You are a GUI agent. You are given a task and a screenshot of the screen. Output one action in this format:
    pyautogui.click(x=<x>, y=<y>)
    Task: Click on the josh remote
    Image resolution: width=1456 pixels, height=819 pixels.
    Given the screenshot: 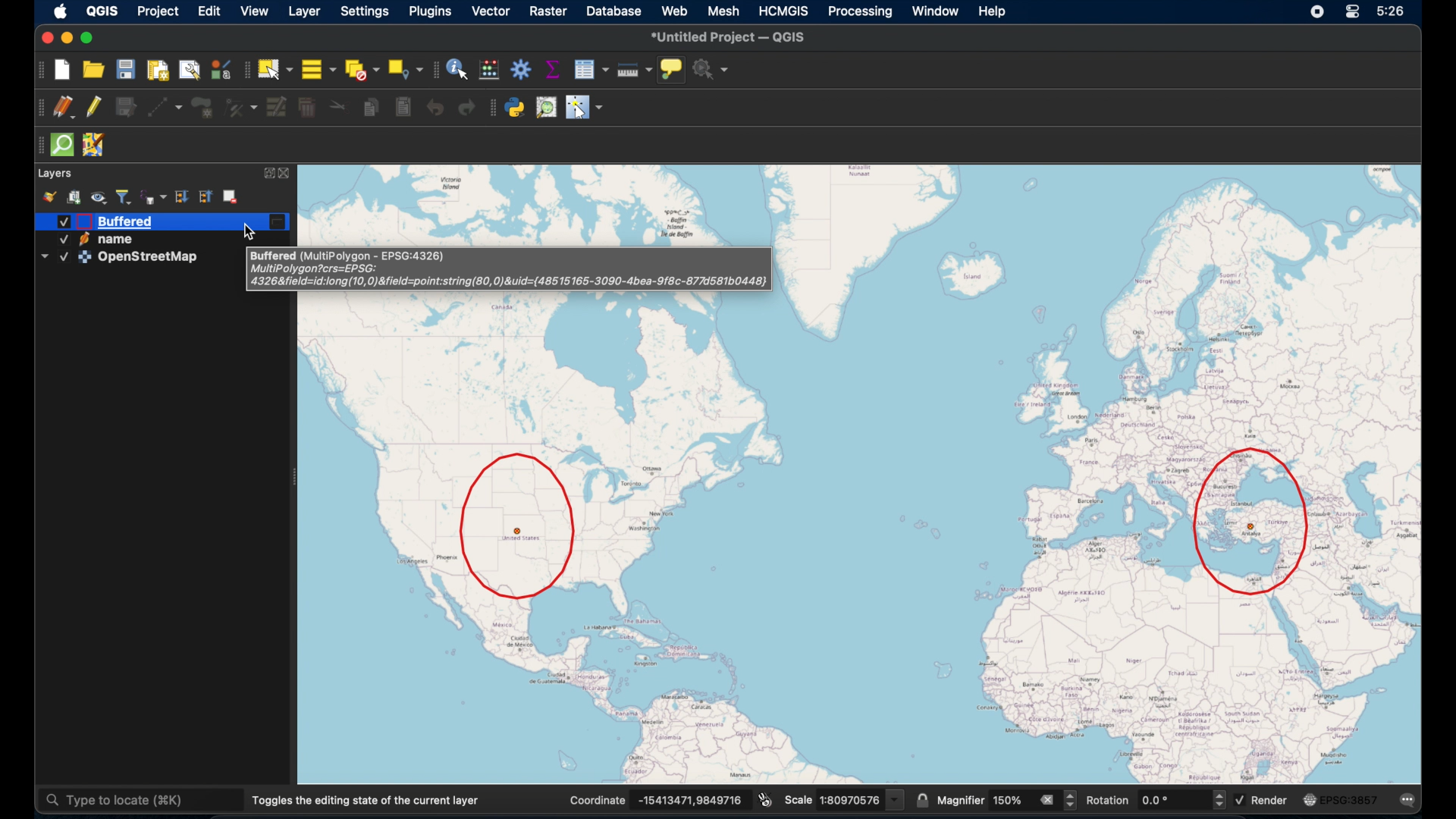 What is the action you would take?
    pyautogui.click(x=94, y=146)
    